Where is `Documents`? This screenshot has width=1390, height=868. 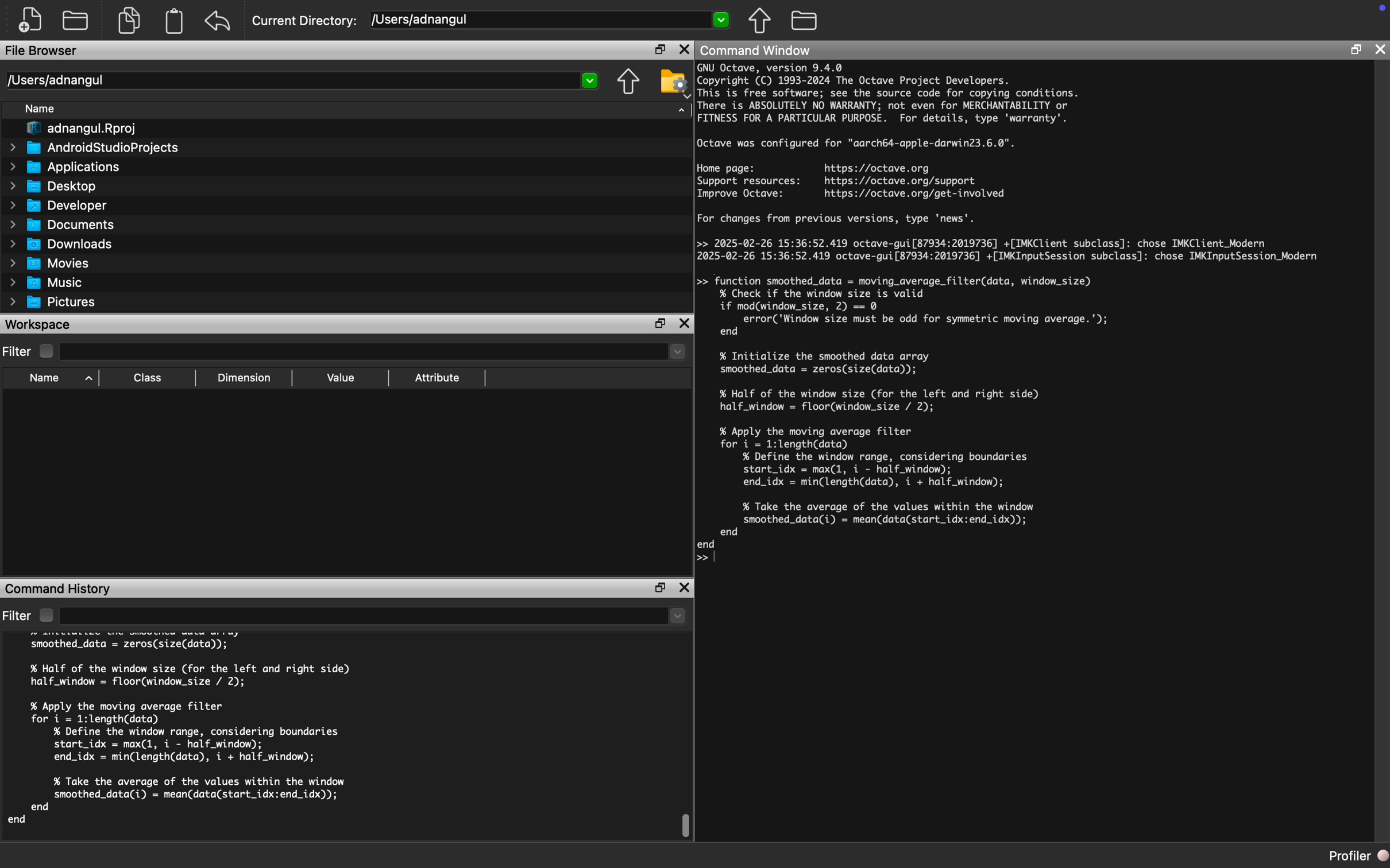
Documents is located at coordinates (64, 226).